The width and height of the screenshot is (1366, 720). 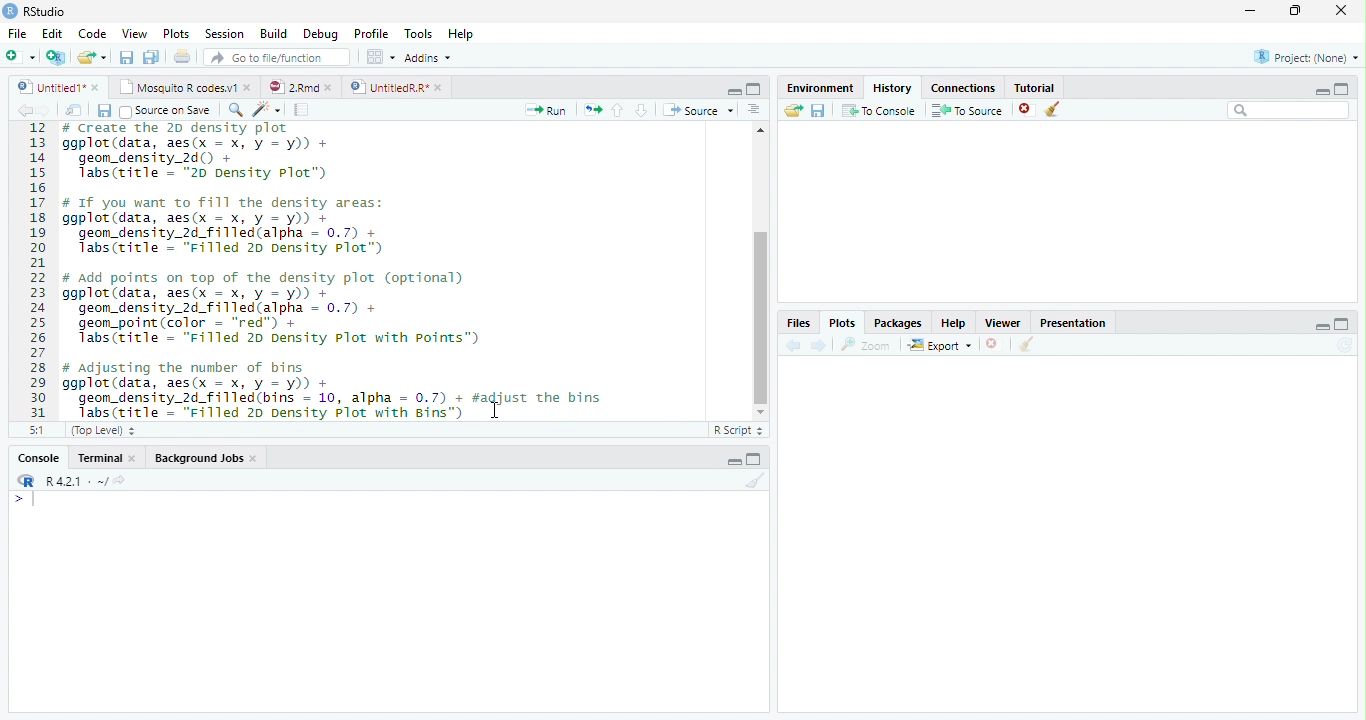 I want to click on Session, so click(x=225, y=34).